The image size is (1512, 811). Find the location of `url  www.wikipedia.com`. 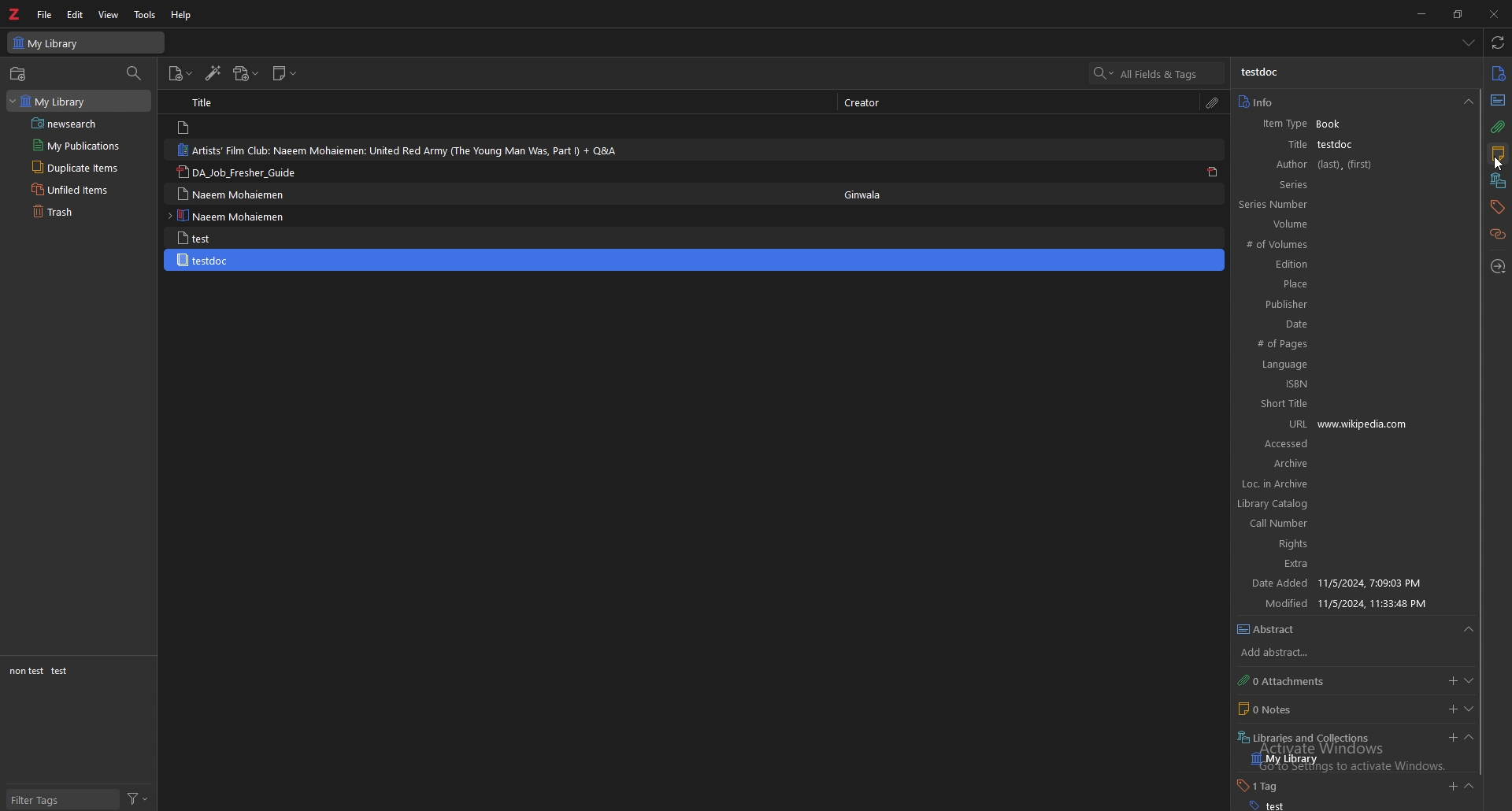

url  www.wikipedia.com is located at coordinates (1345, 425).